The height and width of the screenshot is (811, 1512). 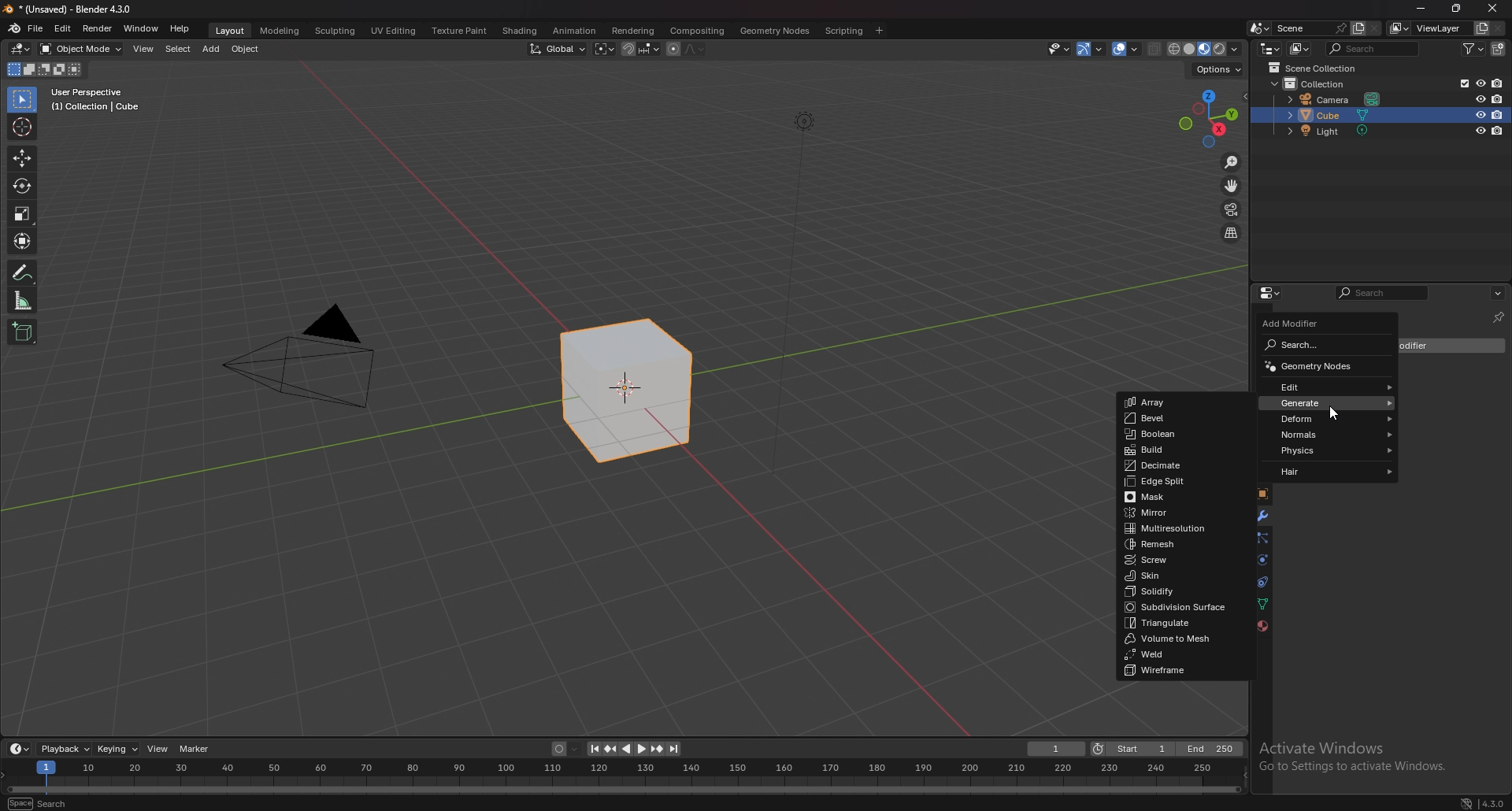 I want to click on perspective/orthographic, so click(x=1231, y=234).